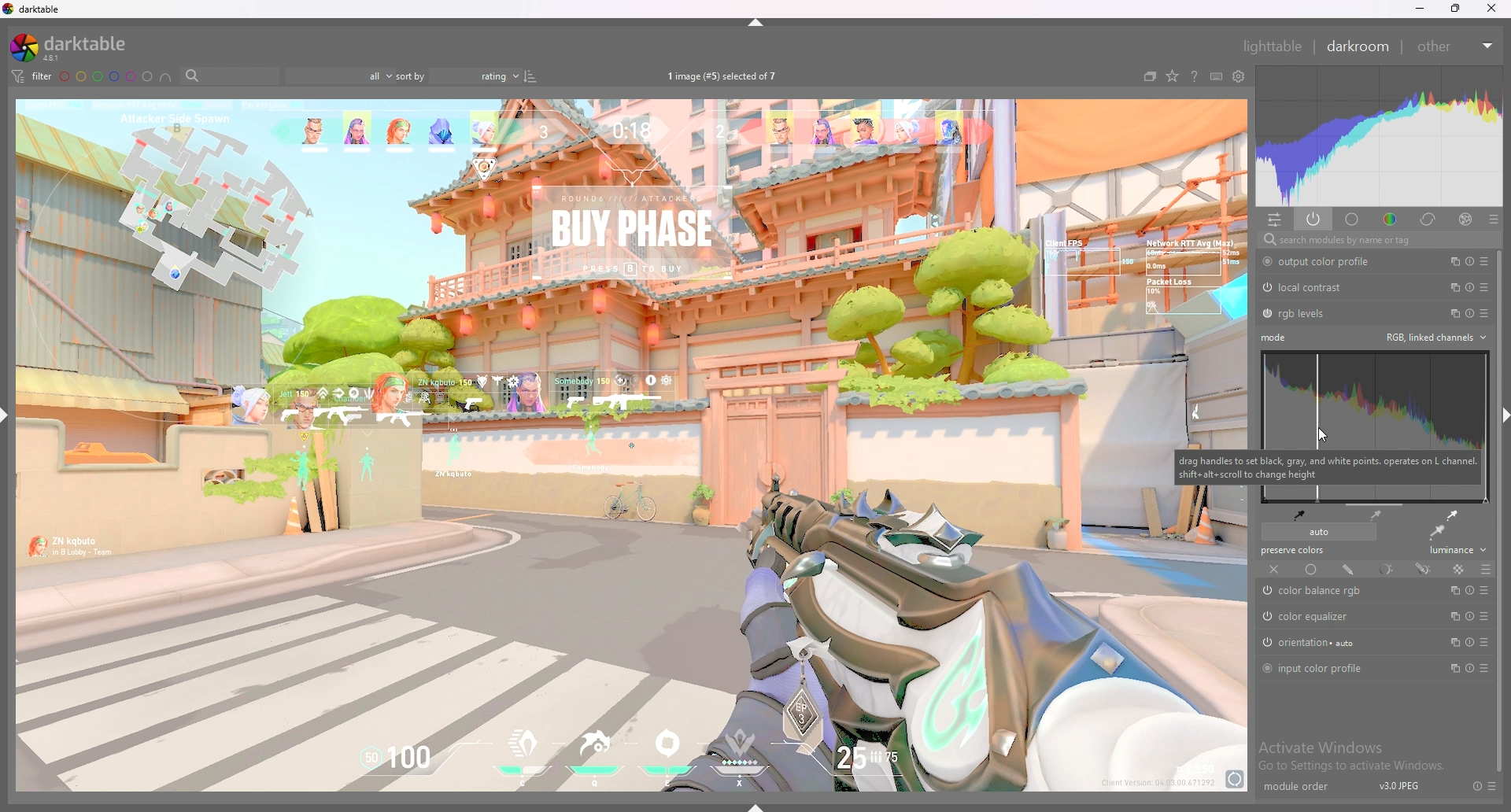  What do you see at coordinates (1315, 287) in the screenshot?
I see `local contrast` at bounding box center [1315, 287].